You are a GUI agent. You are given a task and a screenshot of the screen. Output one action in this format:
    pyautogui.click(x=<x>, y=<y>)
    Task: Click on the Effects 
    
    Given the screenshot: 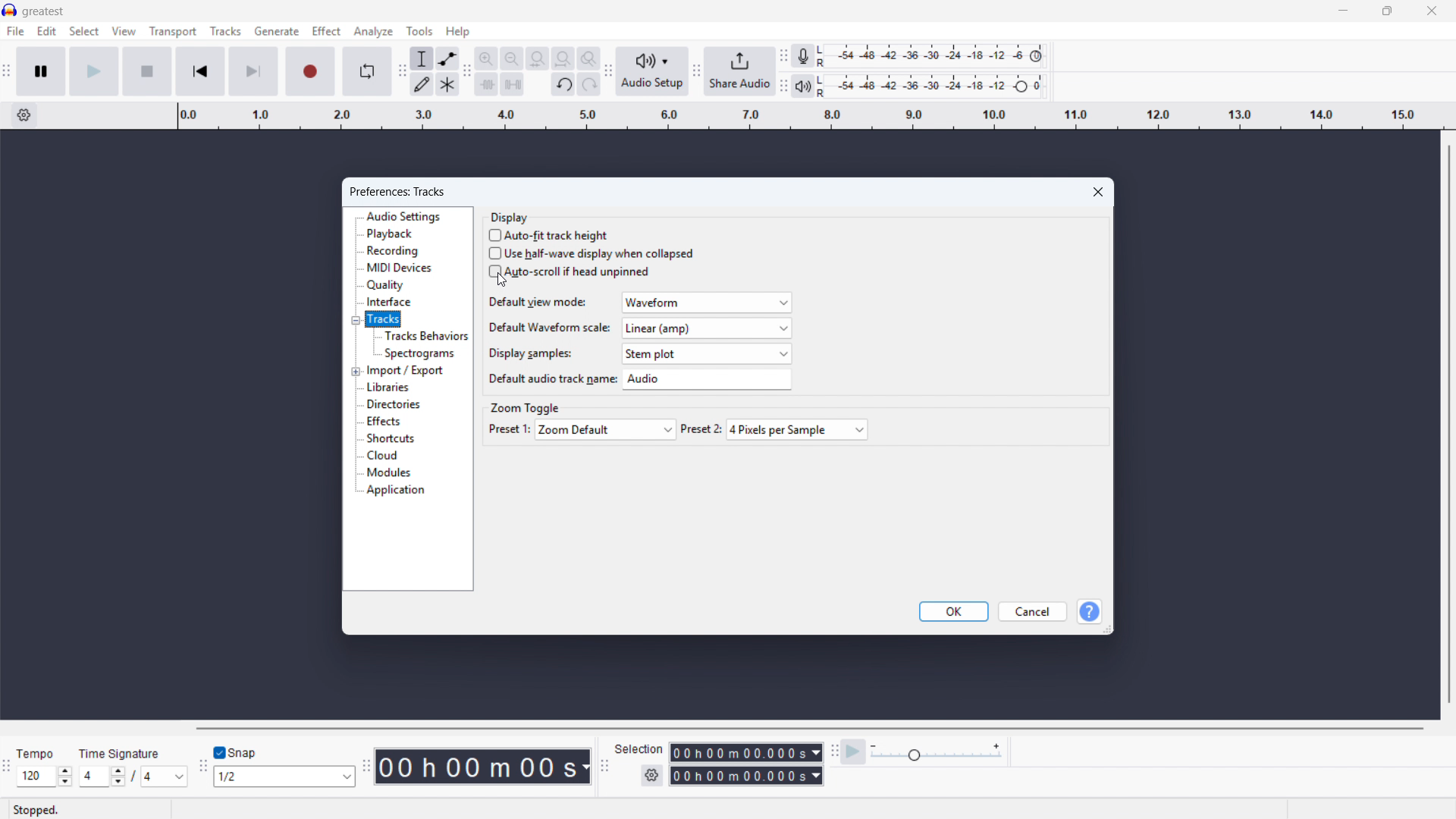 What is the action you would take?
    pyautogui.click(x=383, y=422)
    